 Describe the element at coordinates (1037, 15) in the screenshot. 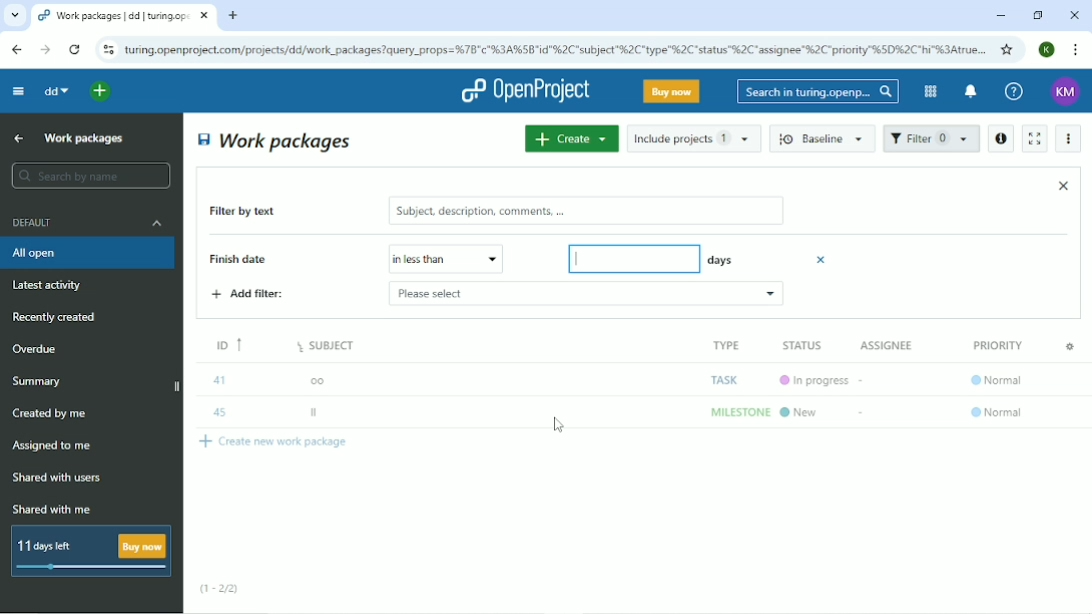

I see `Restore down` at that location.